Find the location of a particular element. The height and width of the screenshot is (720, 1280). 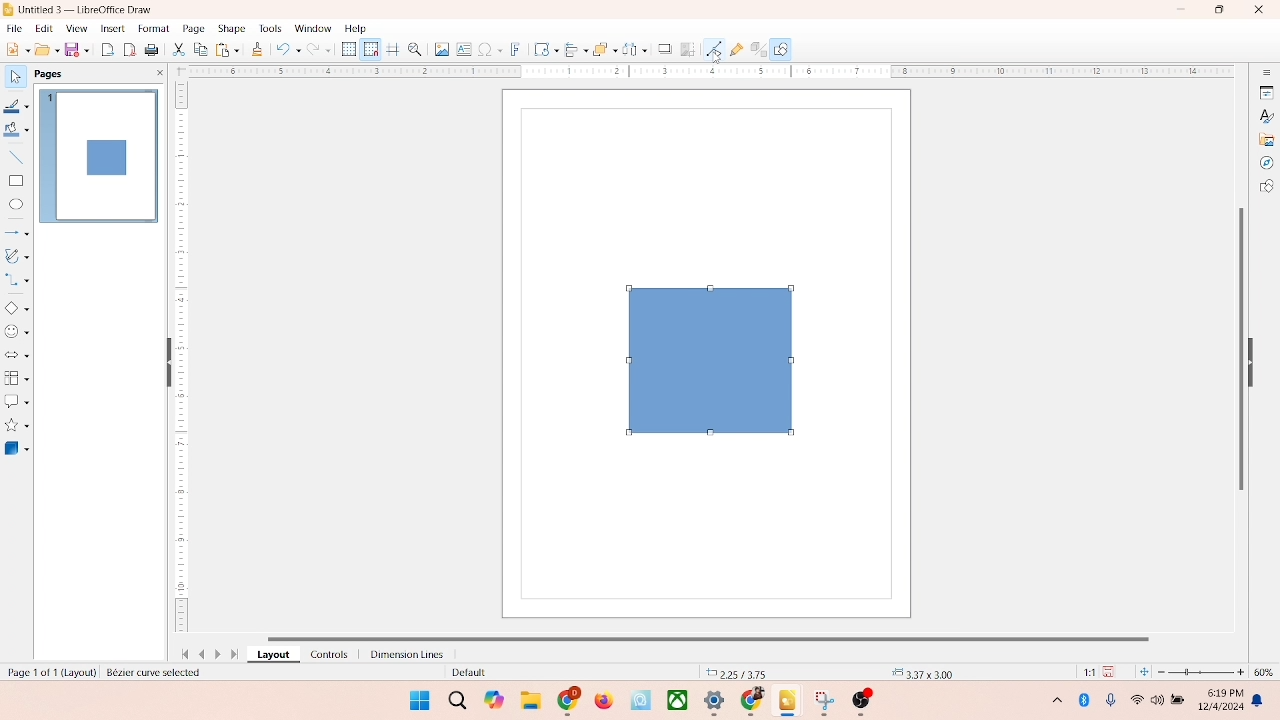

save is located at coordinates (79, 49).